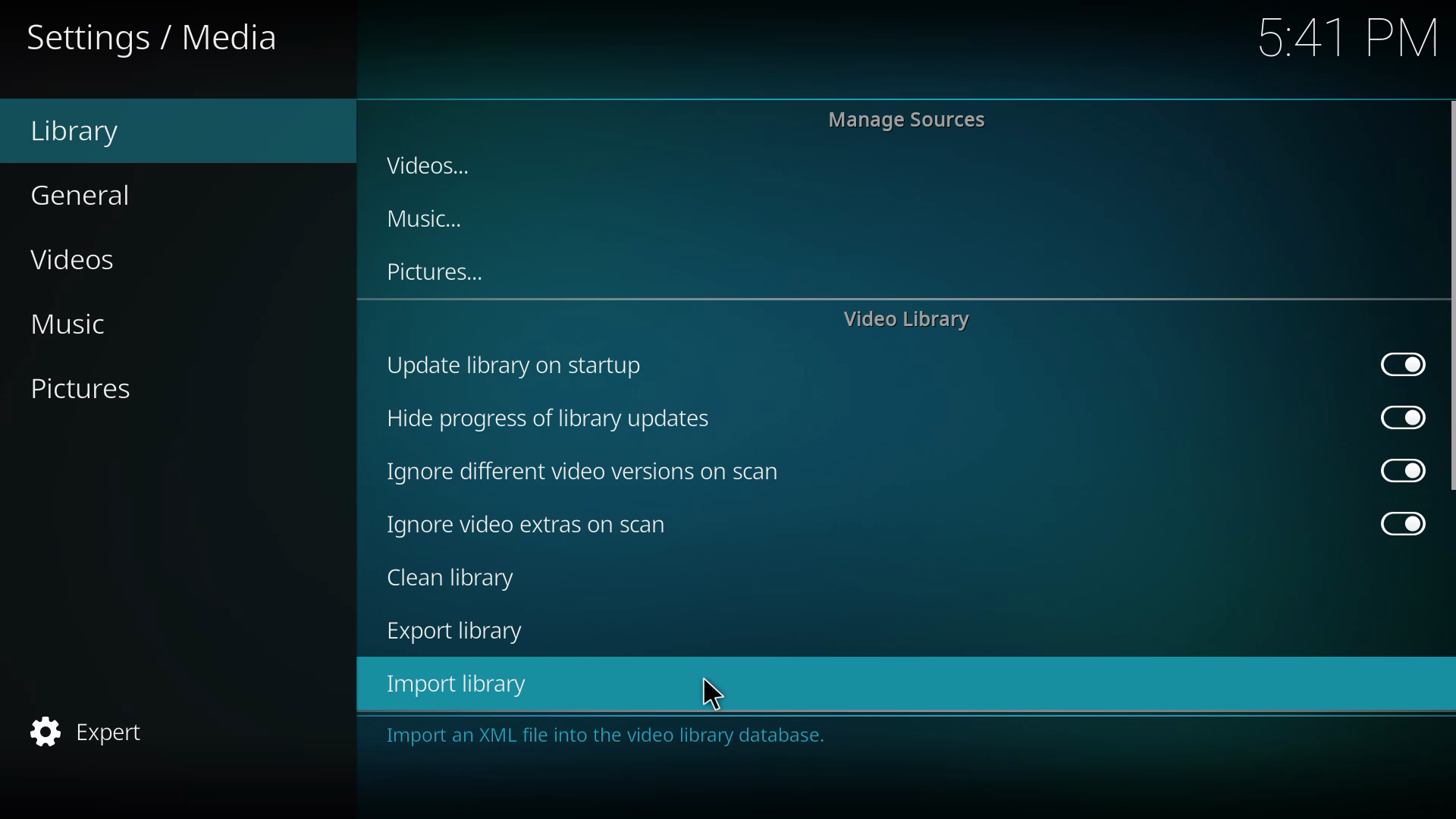 This screenshot has width=1456, height=819. What do you see at coordinates (83, 390) in the screenshot?
I see `pictures` at bounding box center [83, 390].